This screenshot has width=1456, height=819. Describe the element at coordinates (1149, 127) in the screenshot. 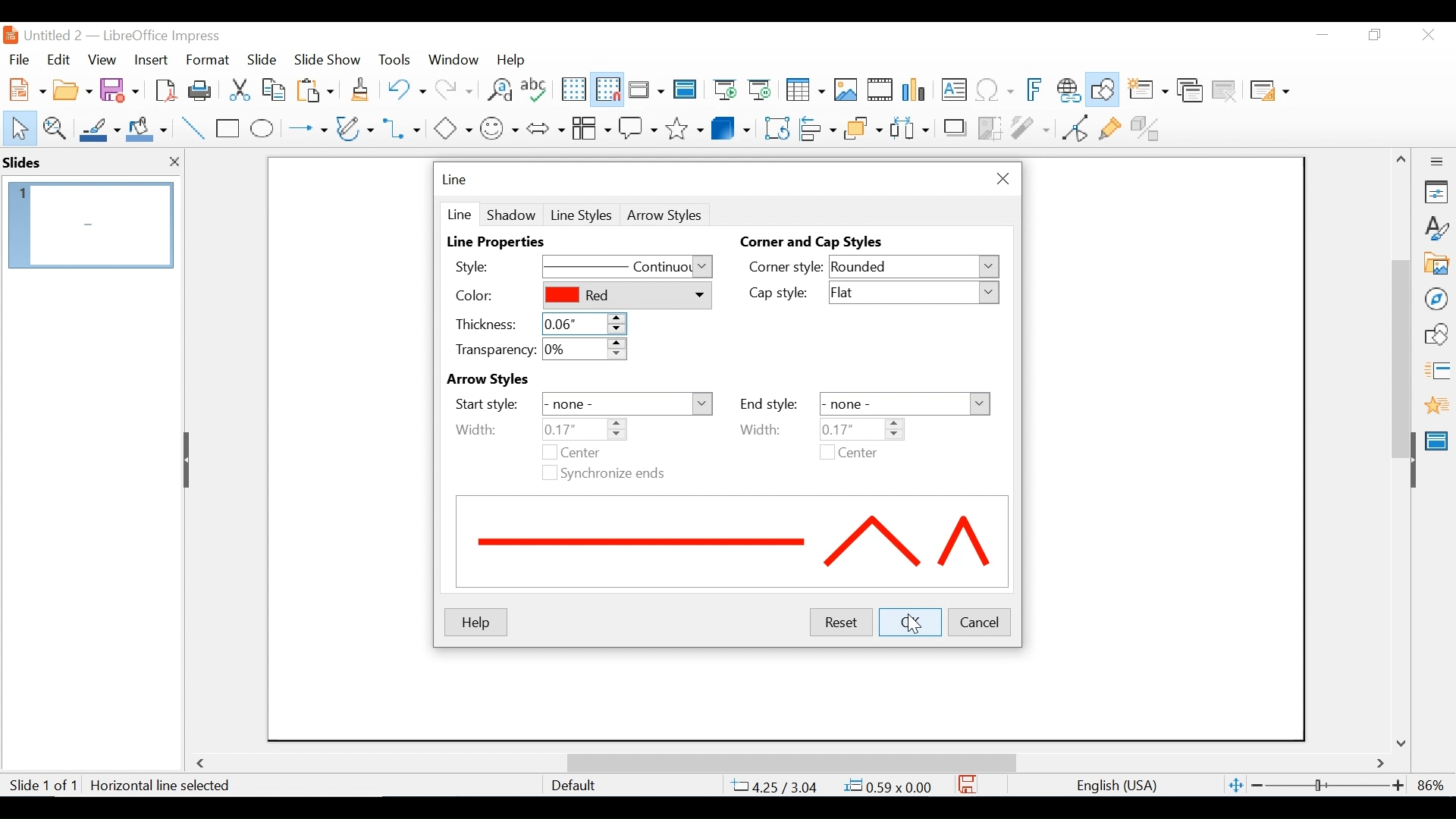

I see `Toggle Extrusion` at that location.